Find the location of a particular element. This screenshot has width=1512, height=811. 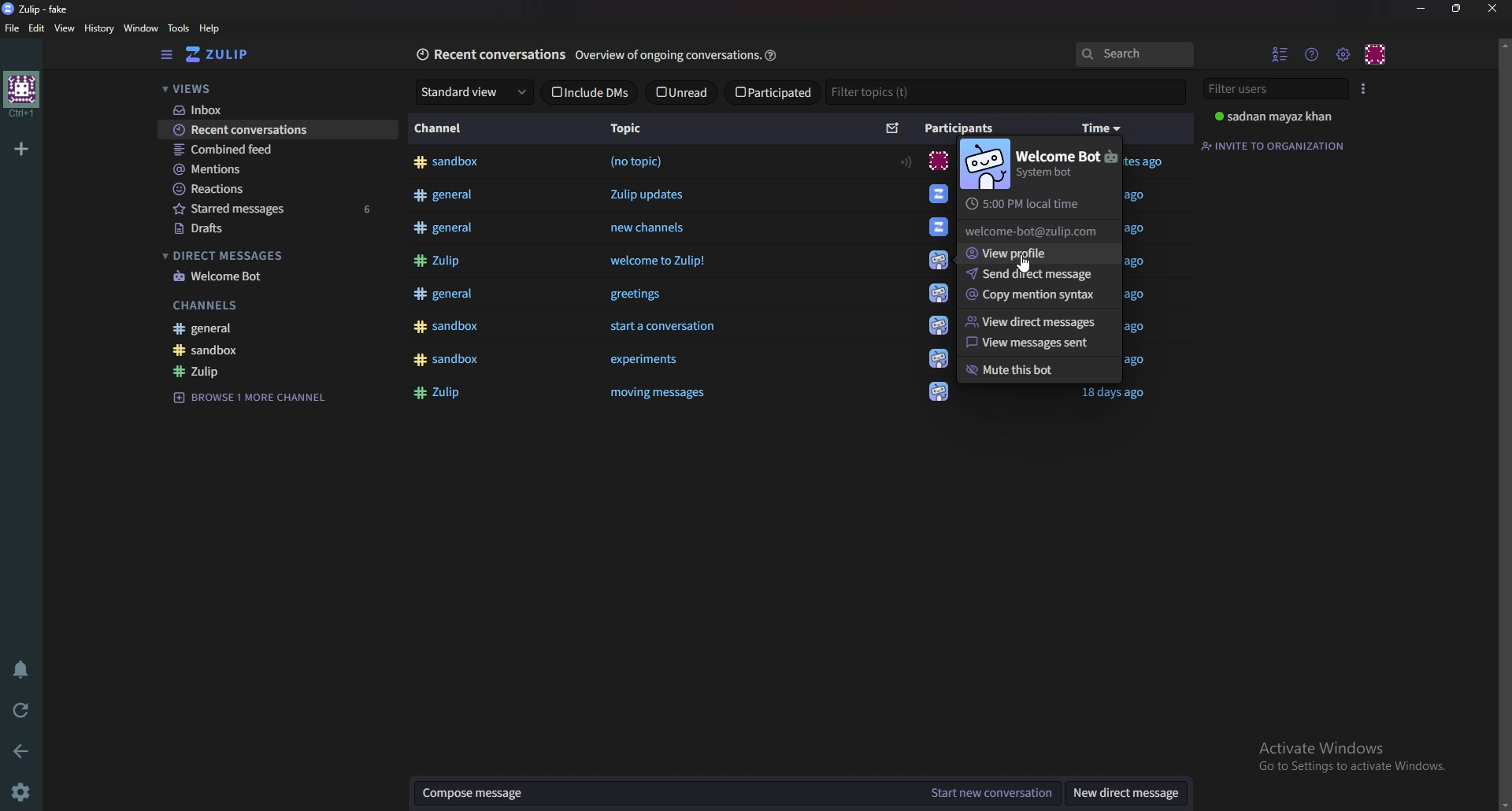

Recent conversations is located at coordinates (280, 131).